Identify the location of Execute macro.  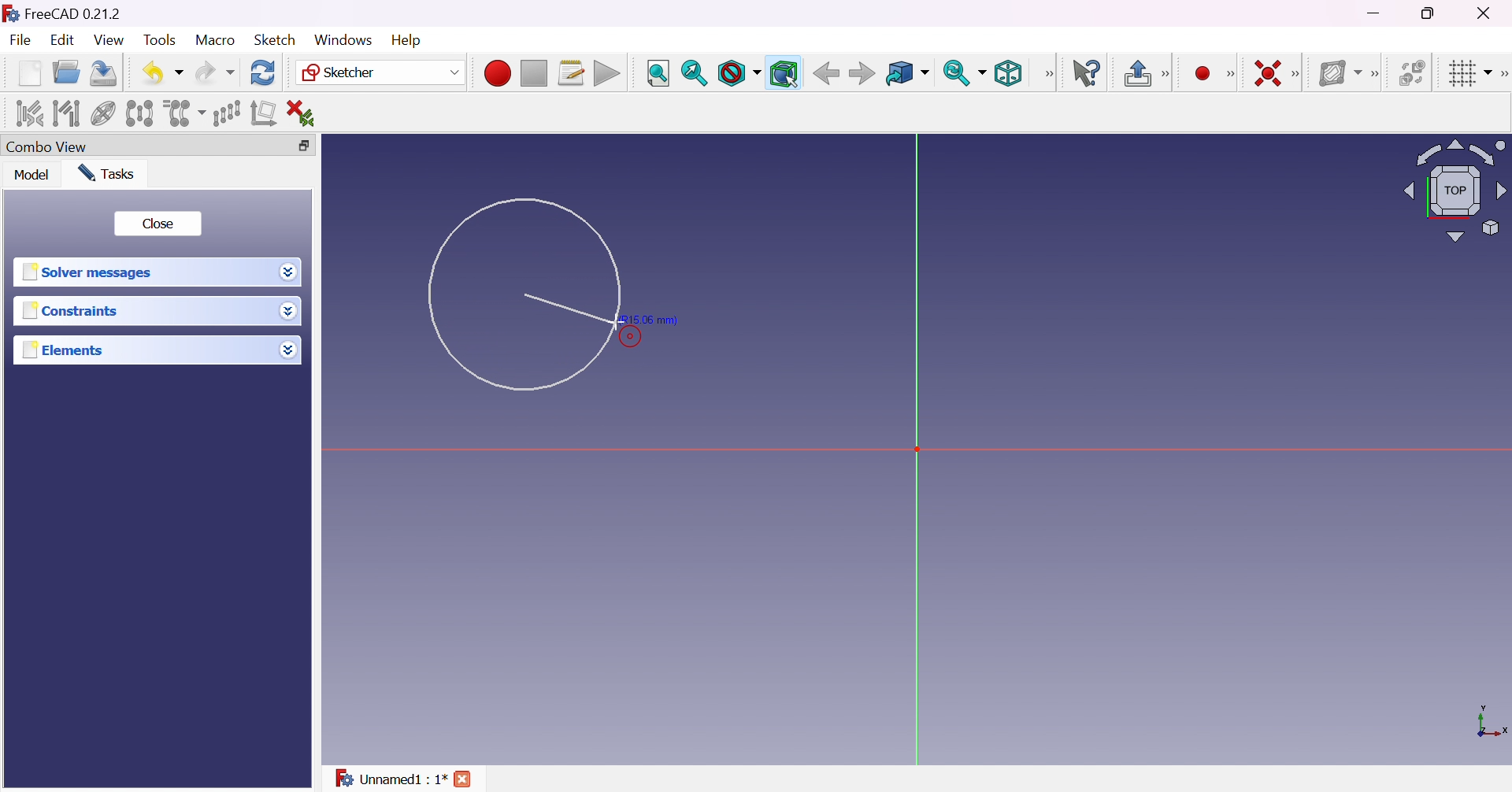
(607, 76).